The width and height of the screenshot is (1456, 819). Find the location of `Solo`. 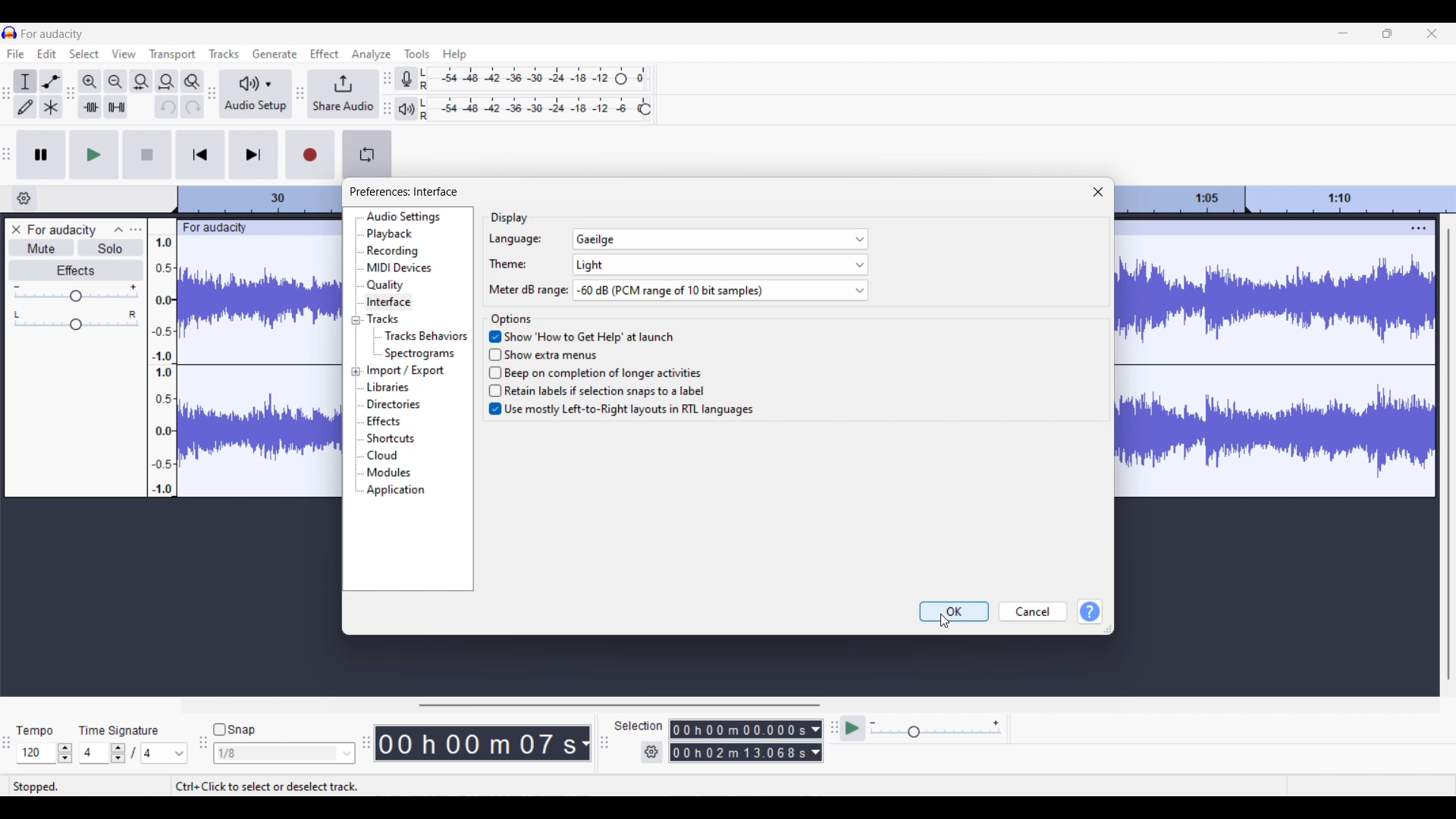

Solo is located at coordinates (111, 248).